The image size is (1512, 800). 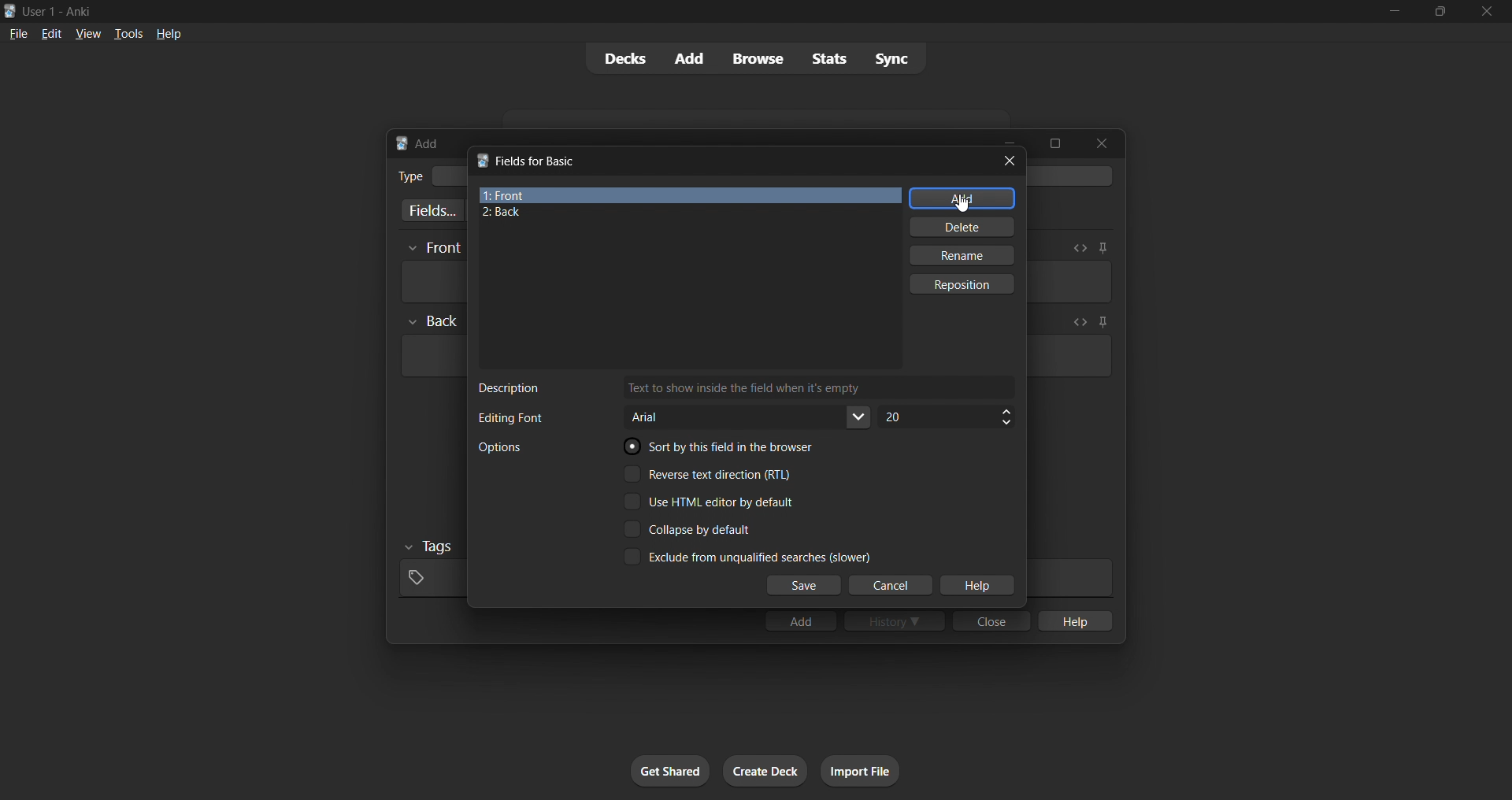 What do you see at coordinates (804, 586) in the screenshot?
I see `save` at bounding box center [804, 586].